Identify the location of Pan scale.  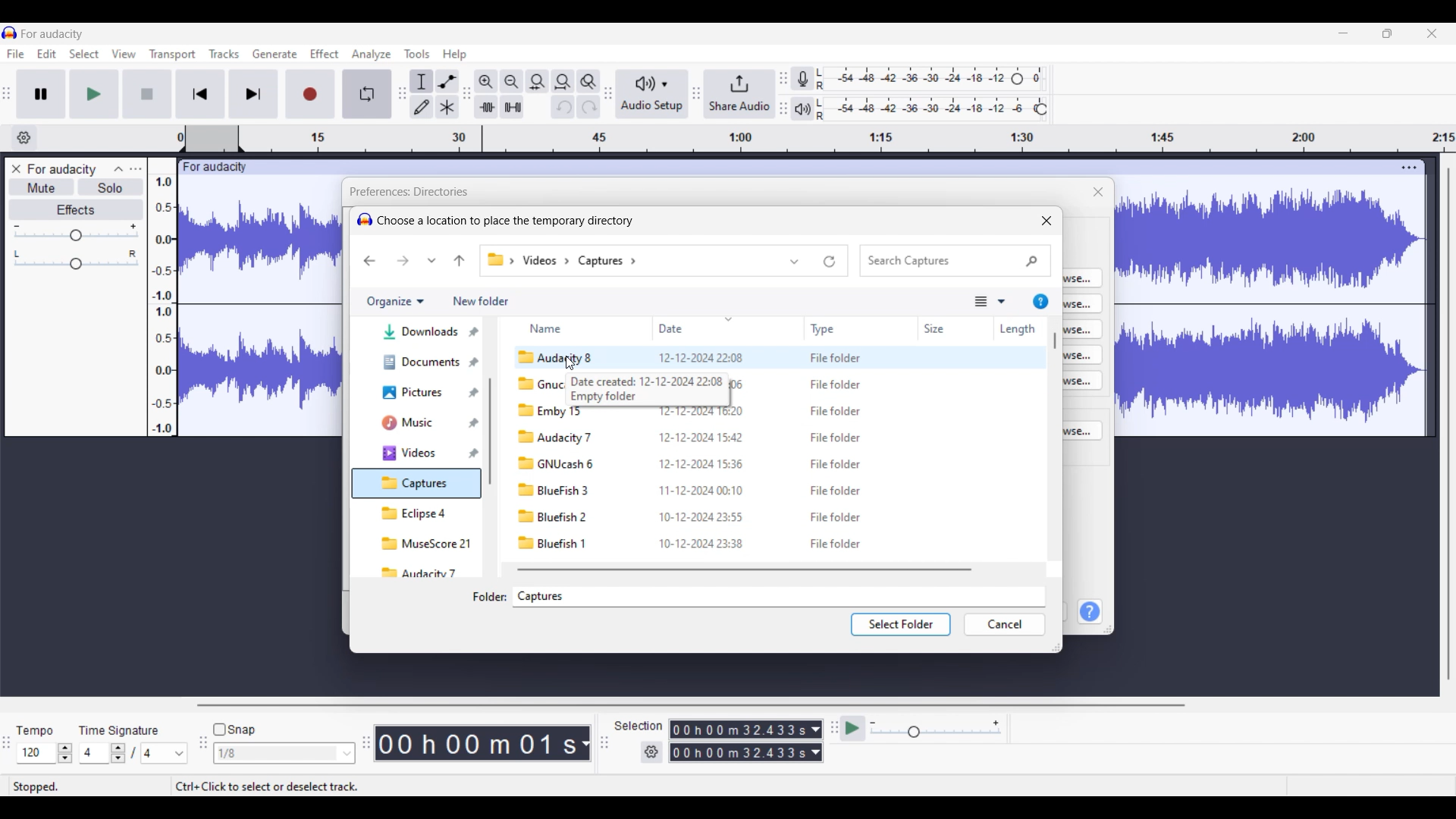
(76, 260).